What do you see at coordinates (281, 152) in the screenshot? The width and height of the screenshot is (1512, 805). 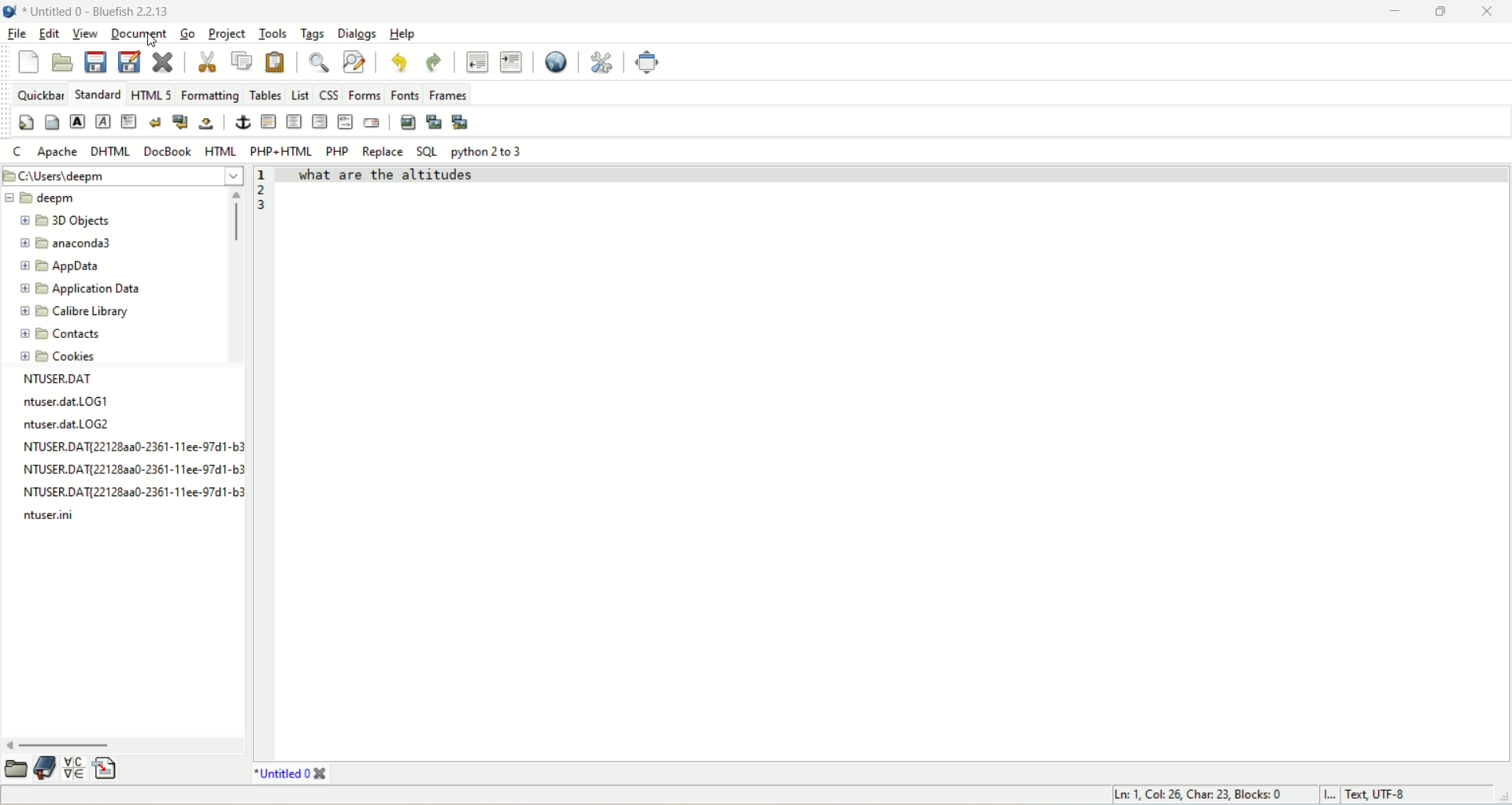 I see `PHP+HTML` at bounding box center [281, 152].